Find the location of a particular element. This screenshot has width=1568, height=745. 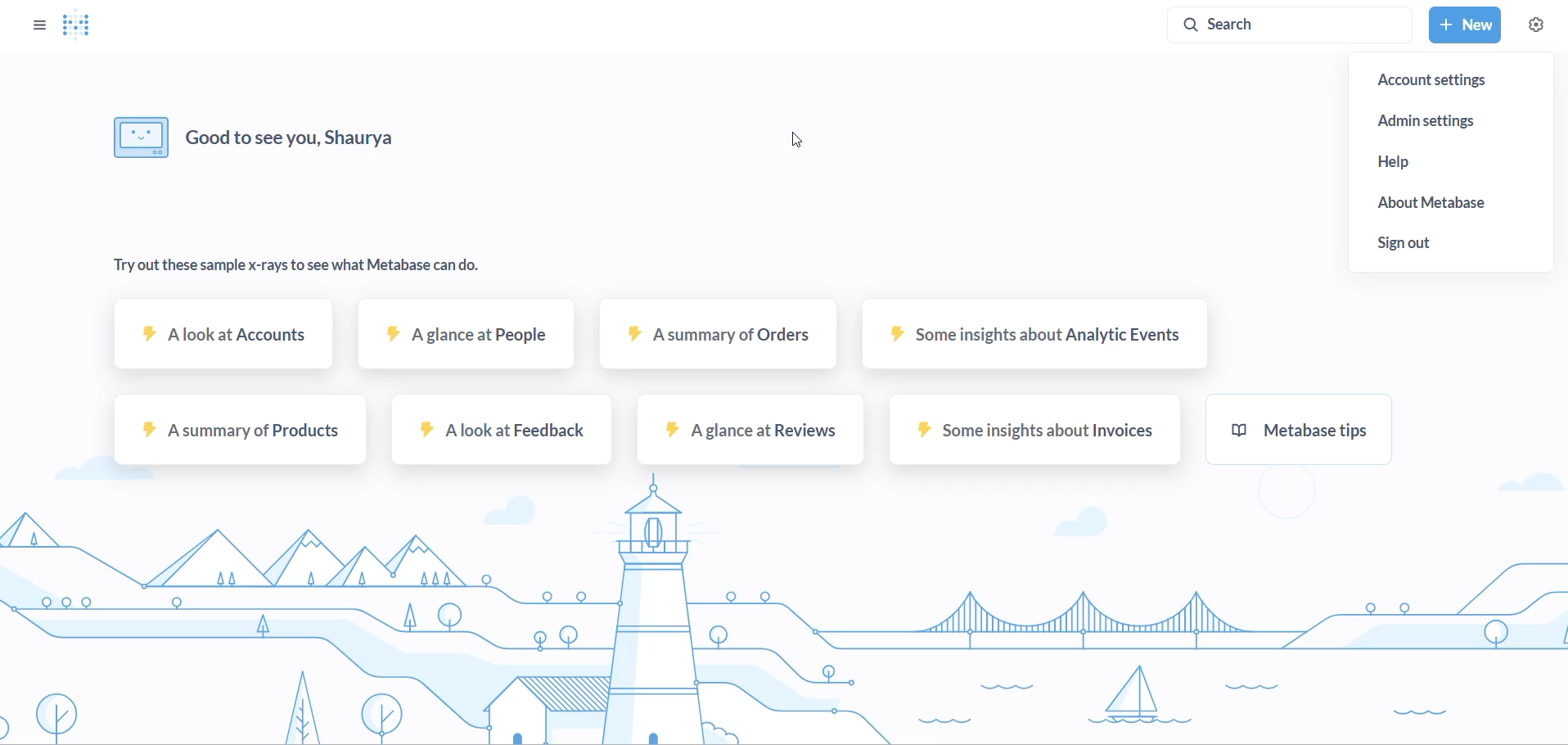

account setting is located at coordinates (1451, 80).